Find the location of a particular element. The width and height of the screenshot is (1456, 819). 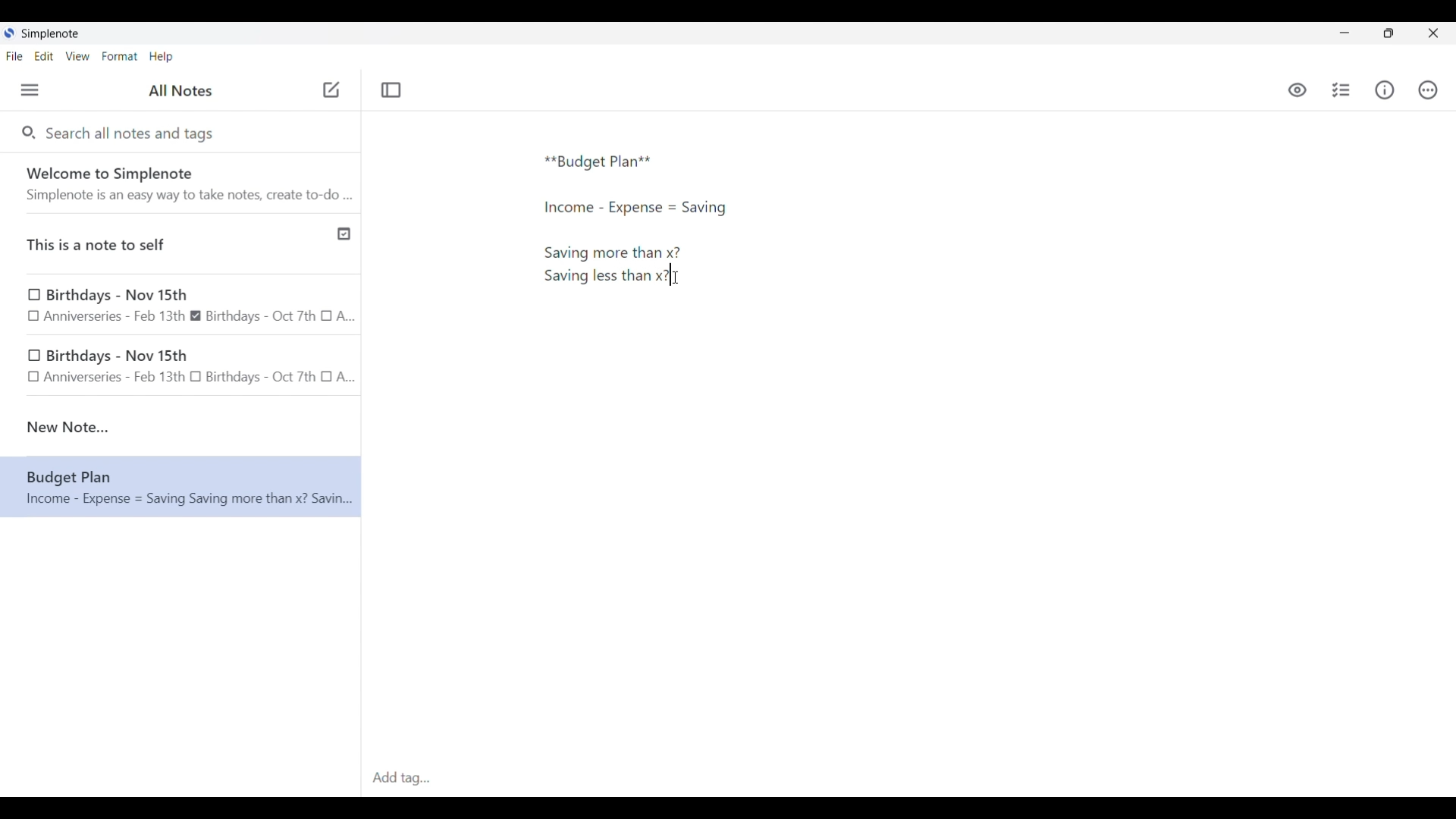

Minimize is located at coordinates (1345, 33).